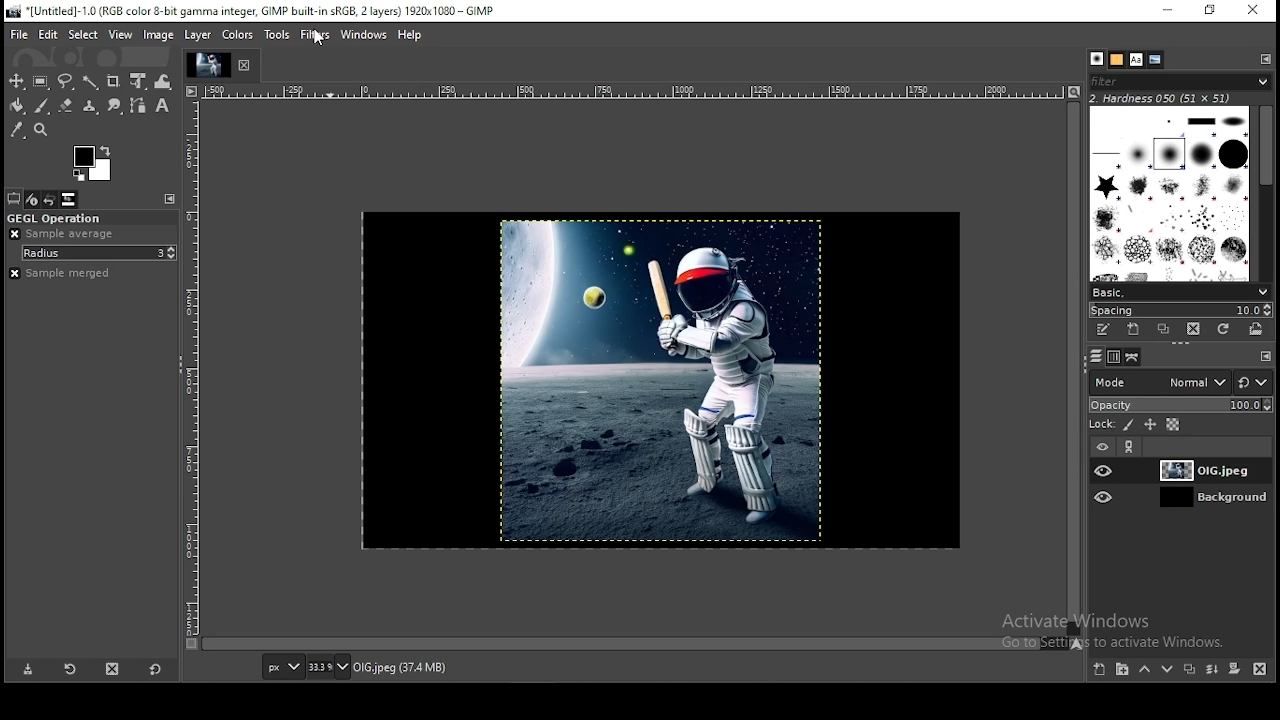 The height and width of the screenshot is (720, 1280). What do you see at coordinates (1100, 424) in the screenshot?
I see `lock:` at bounding box center [1100, 424].